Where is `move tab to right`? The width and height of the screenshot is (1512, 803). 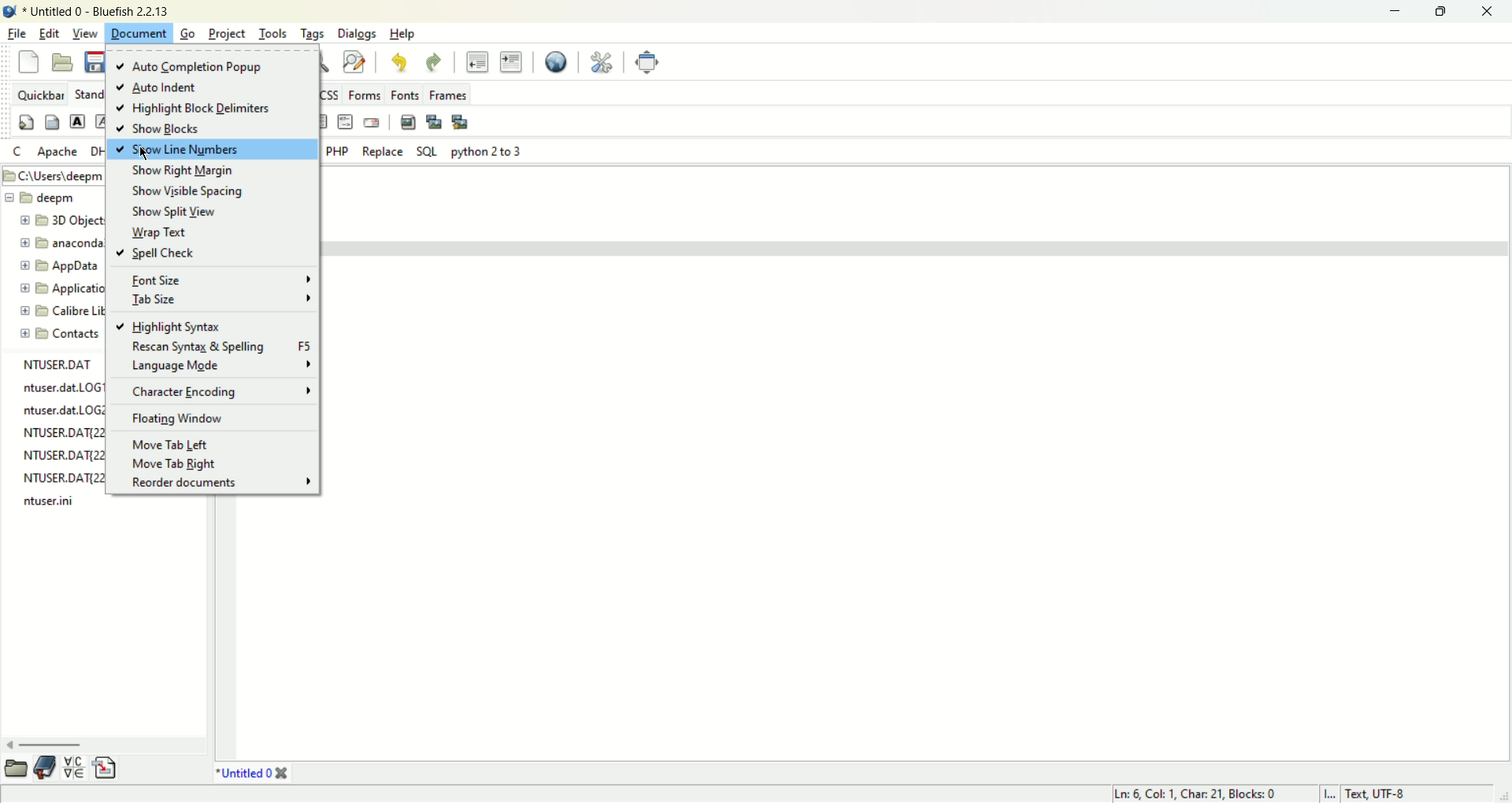 move tab to right is located at coordinates (176, 464).